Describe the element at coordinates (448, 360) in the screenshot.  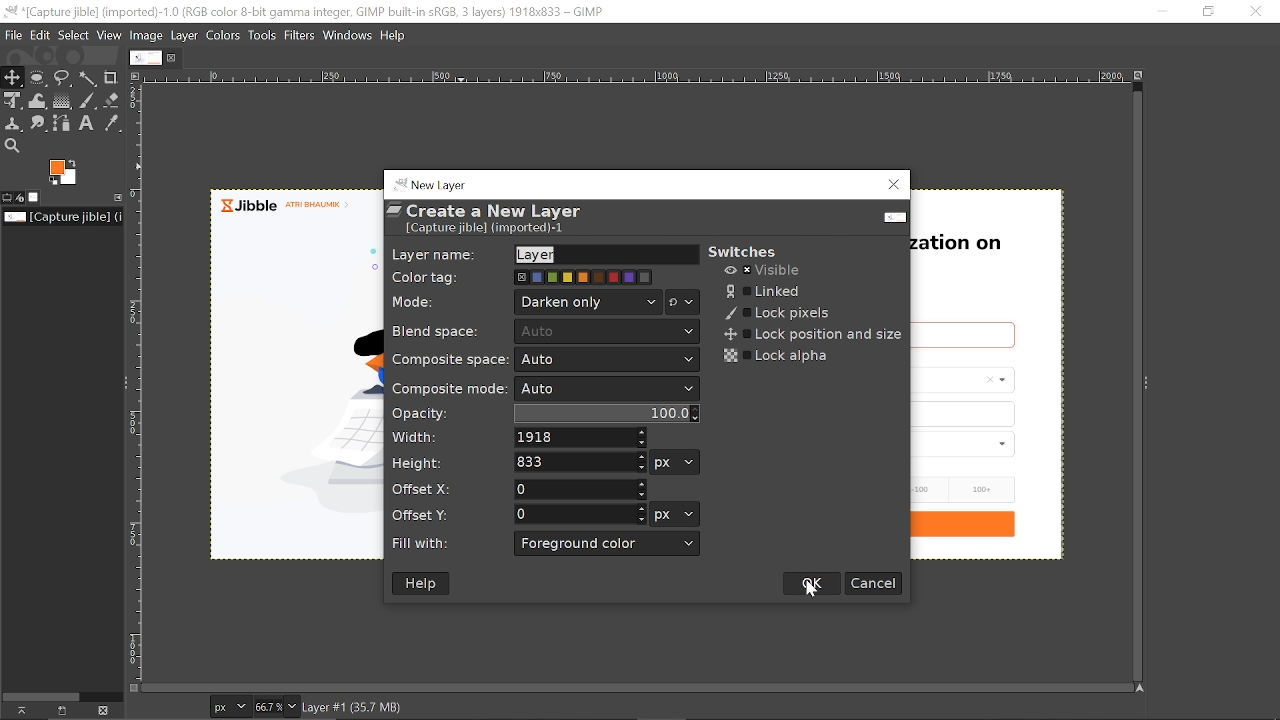
I see `composite space:` at that location.